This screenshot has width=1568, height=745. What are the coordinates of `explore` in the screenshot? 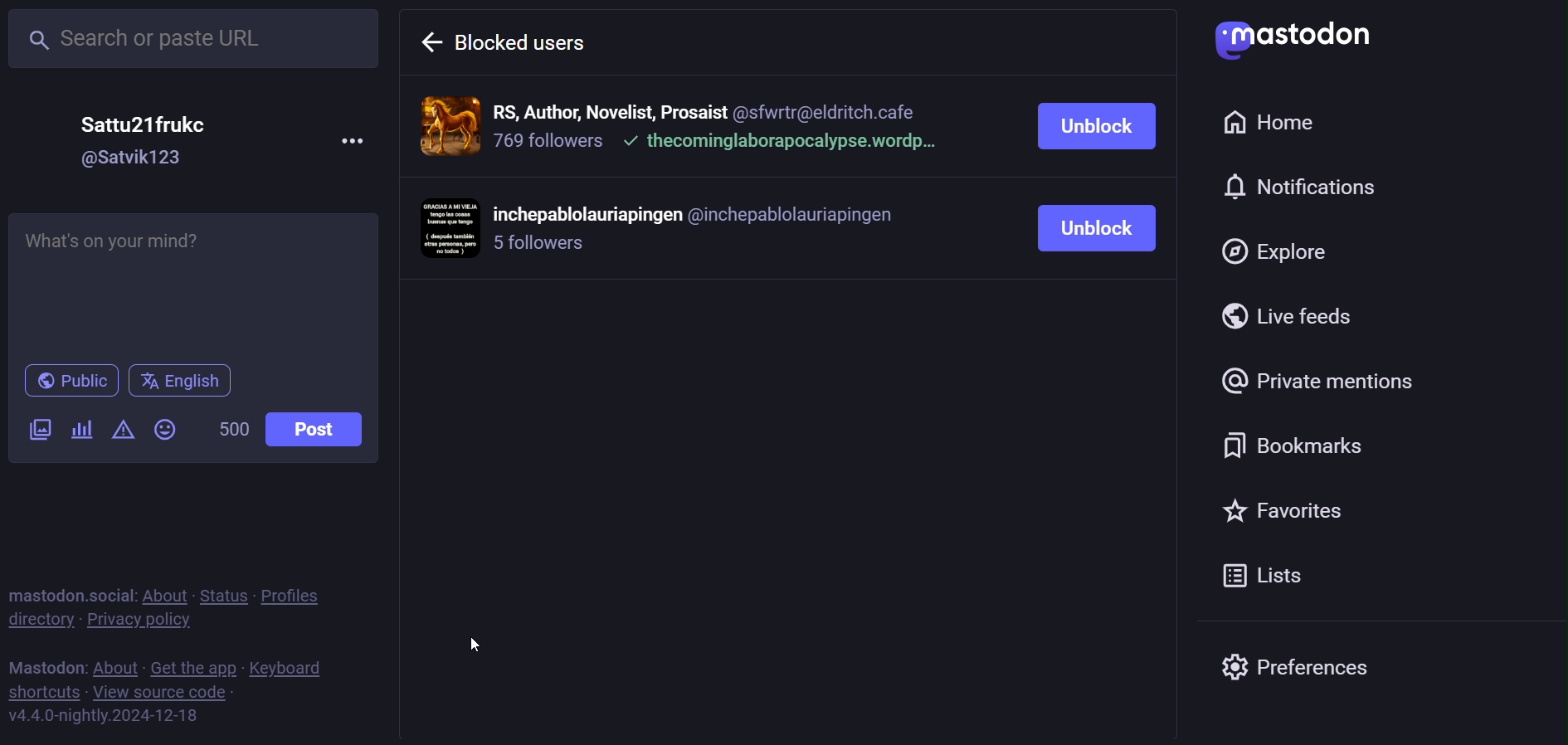 It's located at (1300, 254).